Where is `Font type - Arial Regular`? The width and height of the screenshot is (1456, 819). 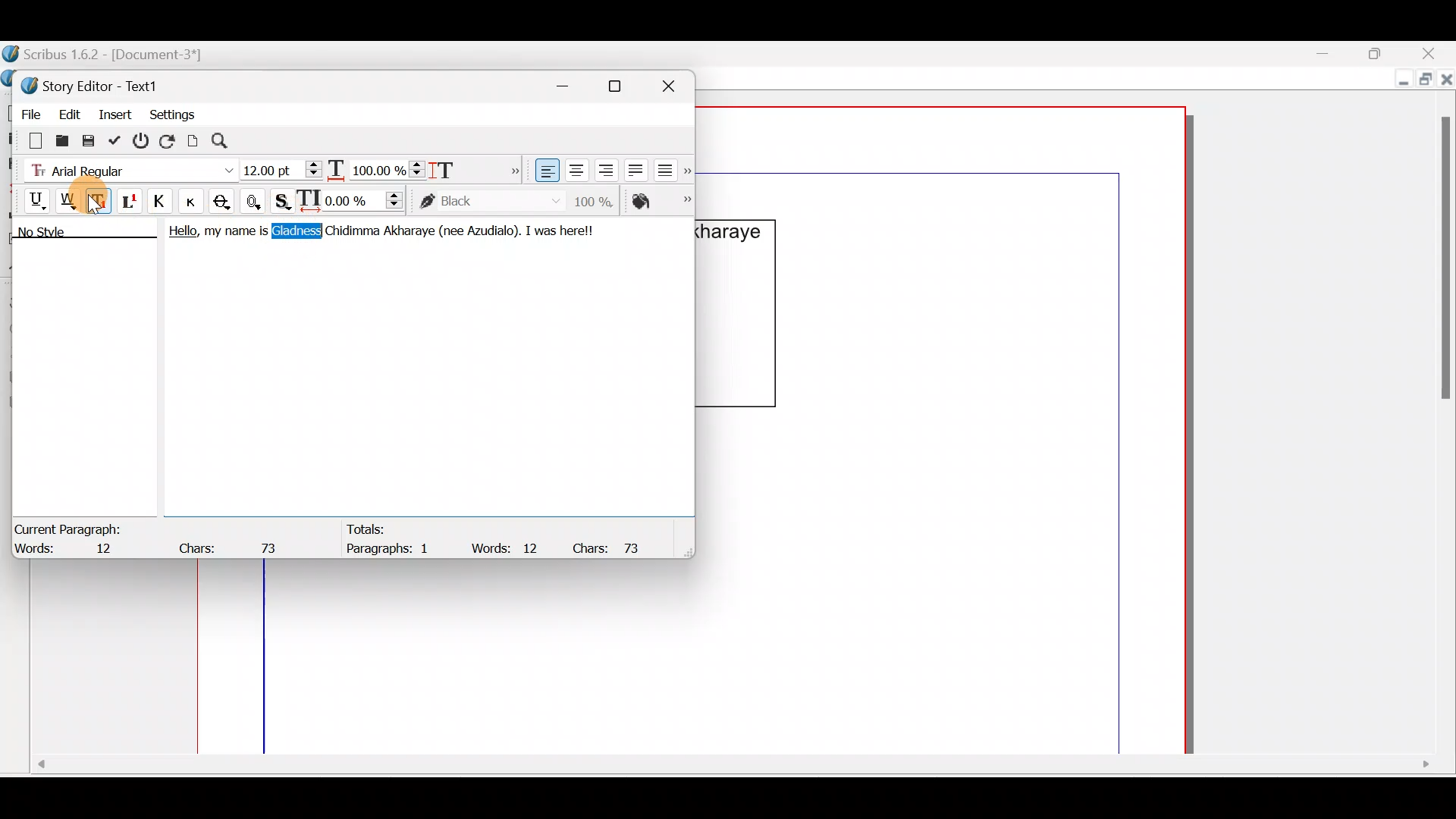
Font type - Arial Regular is located at coordinates (126, 168).